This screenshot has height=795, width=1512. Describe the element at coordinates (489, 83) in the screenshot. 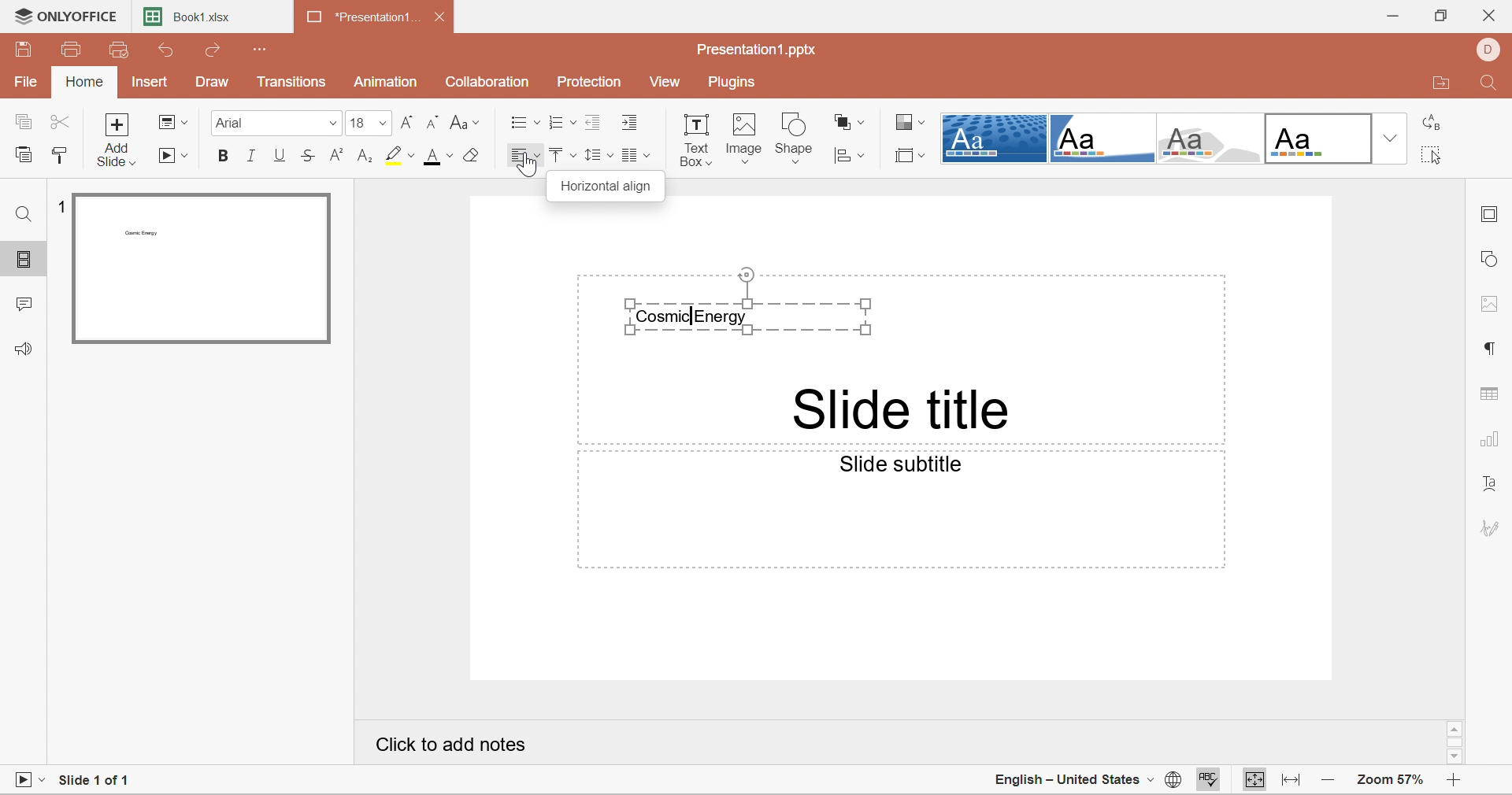

I see `Collaboration` at that location.